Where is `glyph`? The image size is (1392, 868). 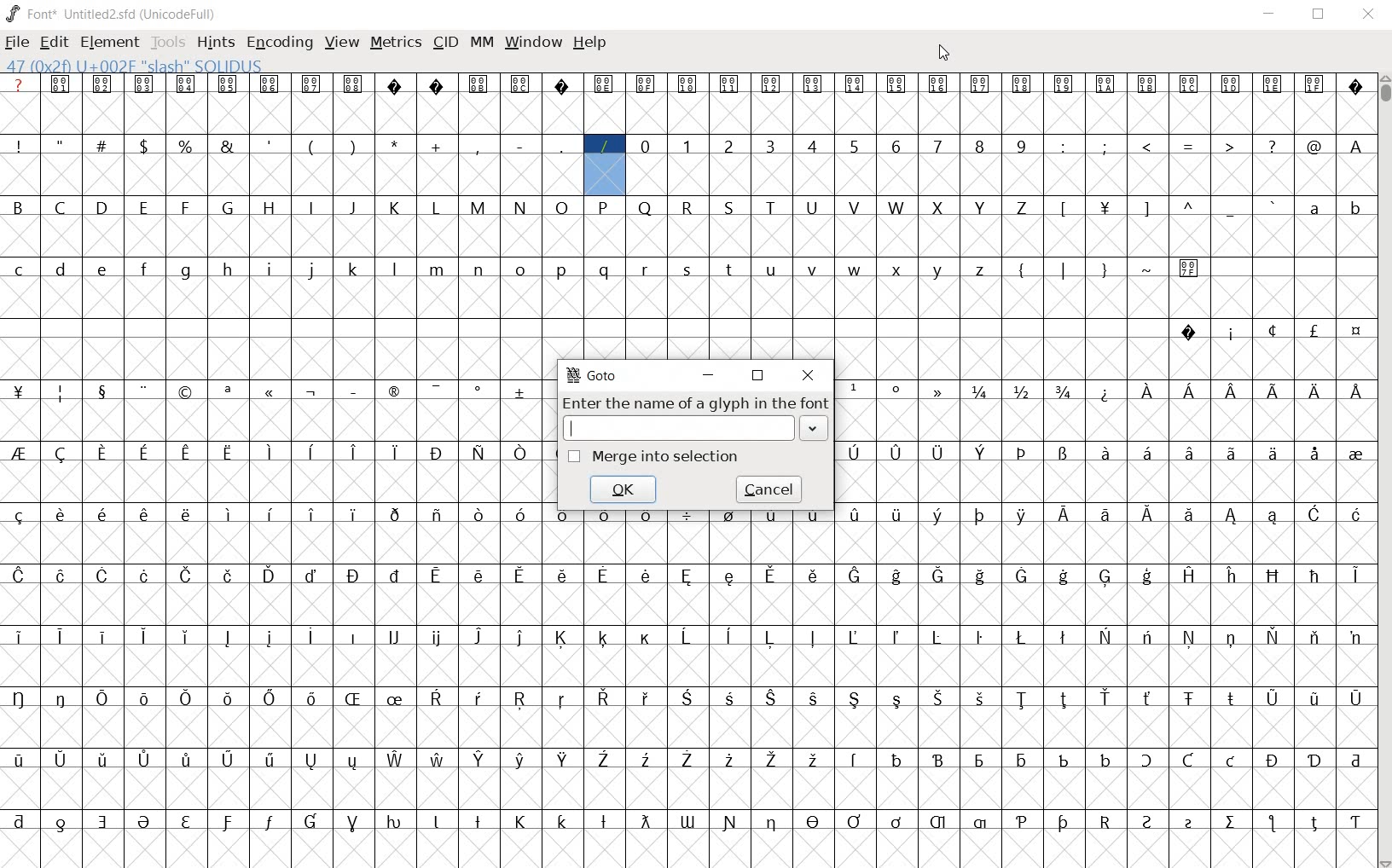 glyph is located at coordinates (687, 209).